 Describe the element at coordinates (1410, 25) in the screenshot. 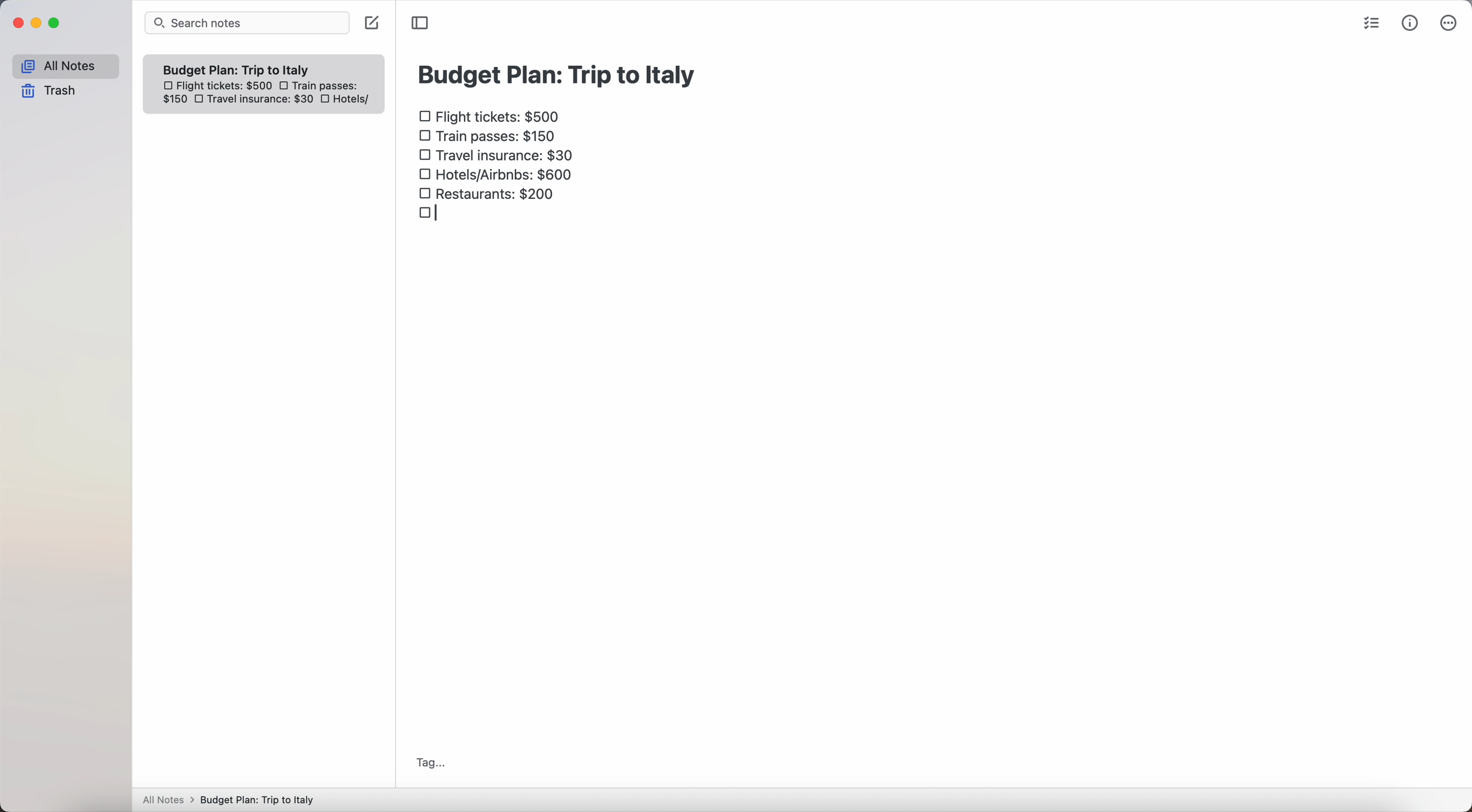

I see `metrics` at that location.